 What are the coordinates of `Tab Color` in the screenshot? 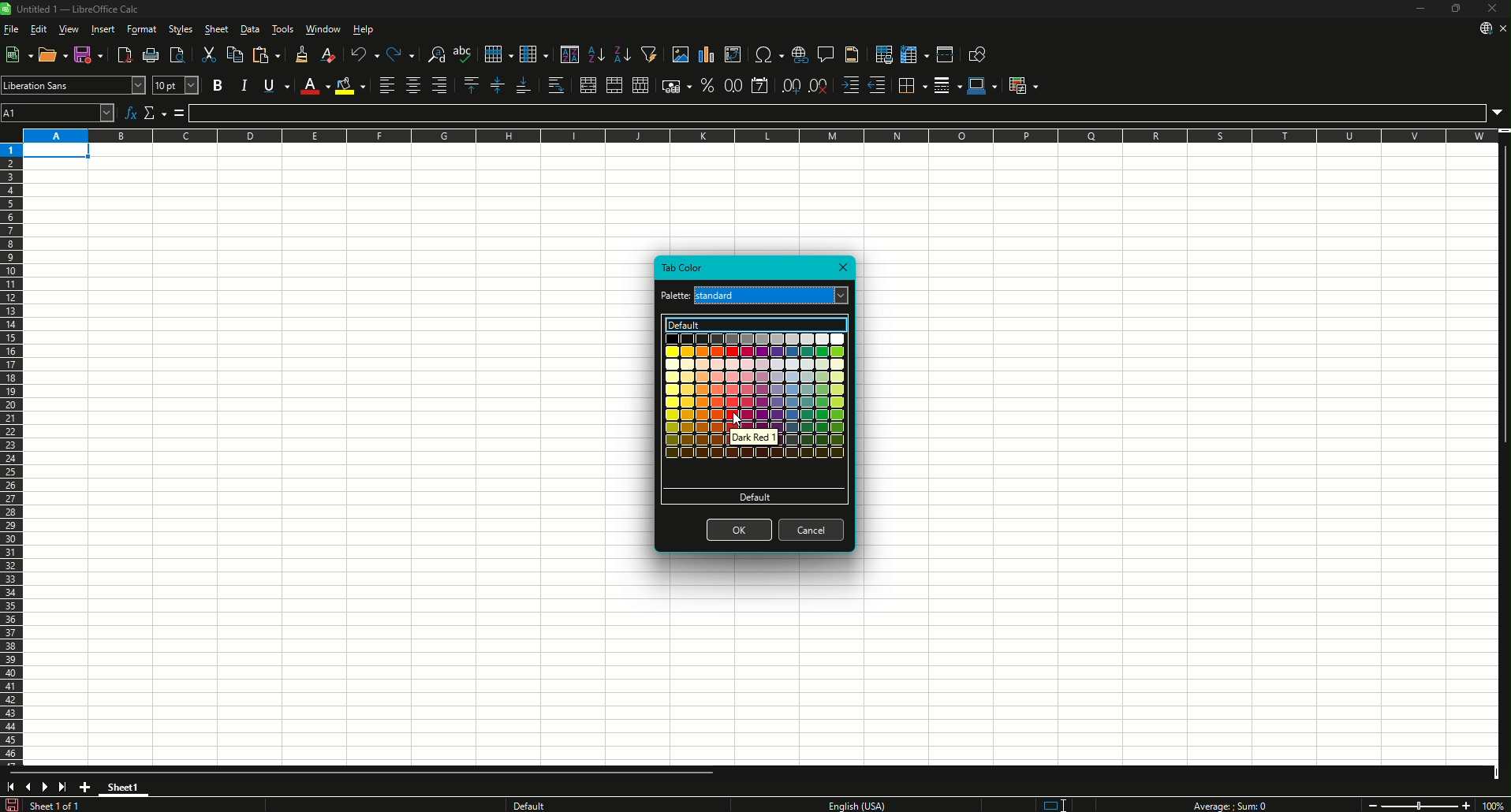 It's located at (684, 268).